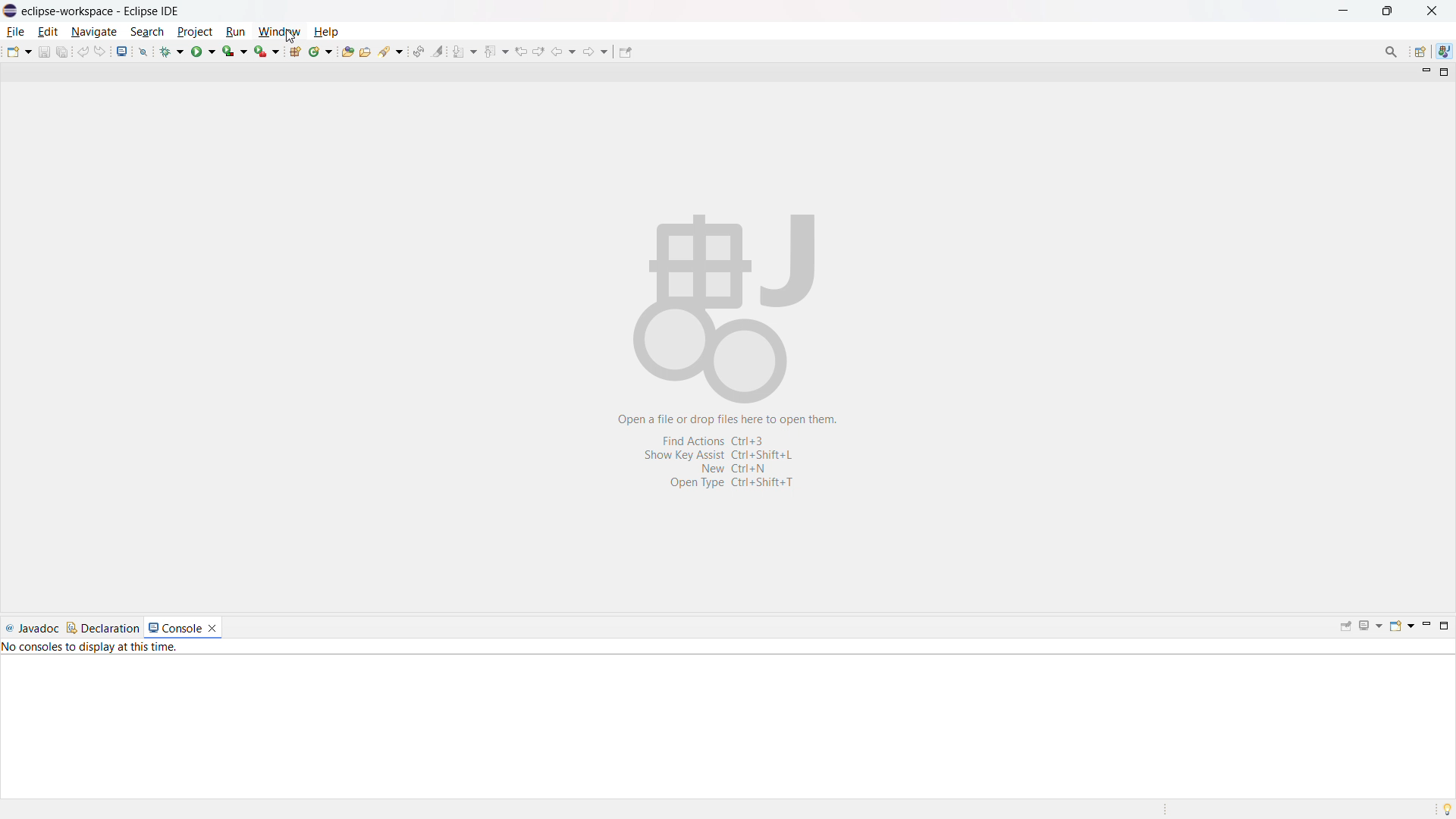  What do you see at coordinates (17, 31) in the screenshot?
I see `file` at bounding box center [17, 31].